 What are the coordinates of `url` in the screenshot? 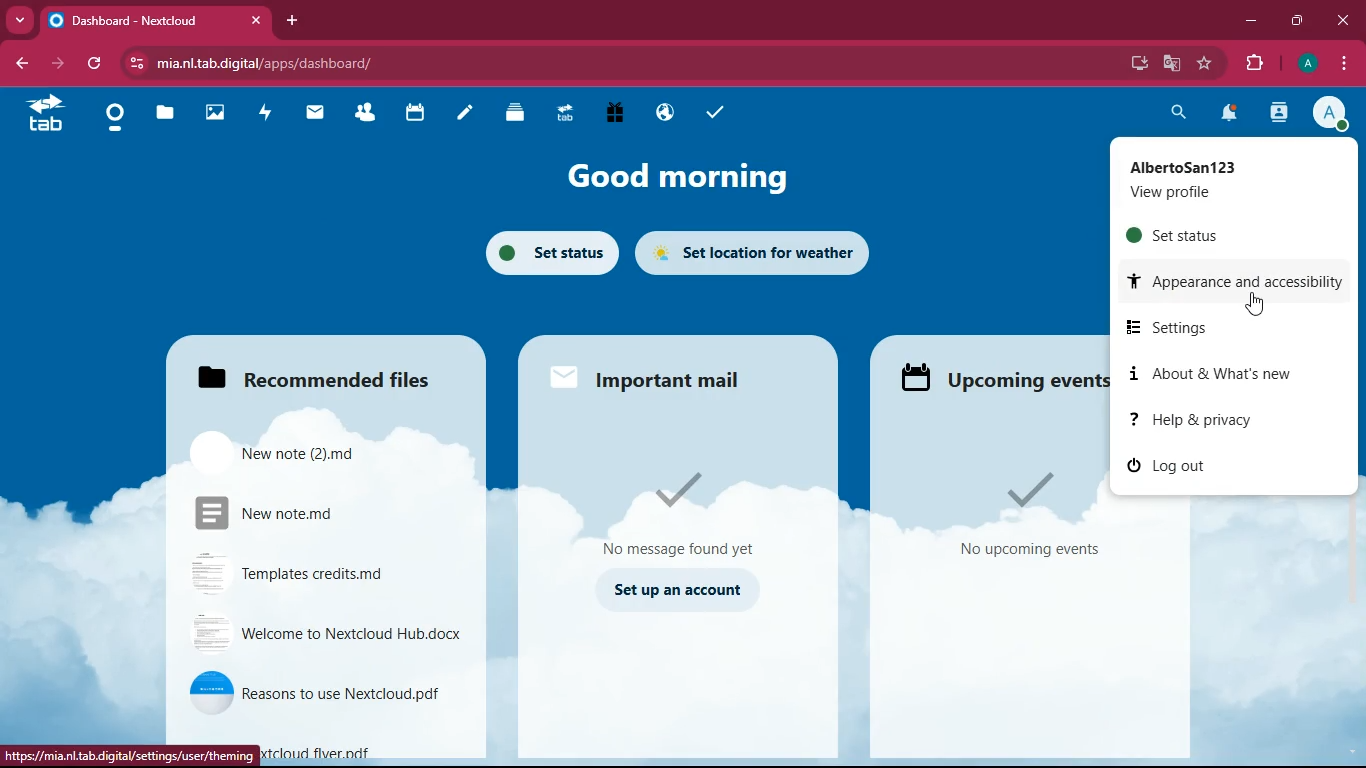 It's located at (282, 63).